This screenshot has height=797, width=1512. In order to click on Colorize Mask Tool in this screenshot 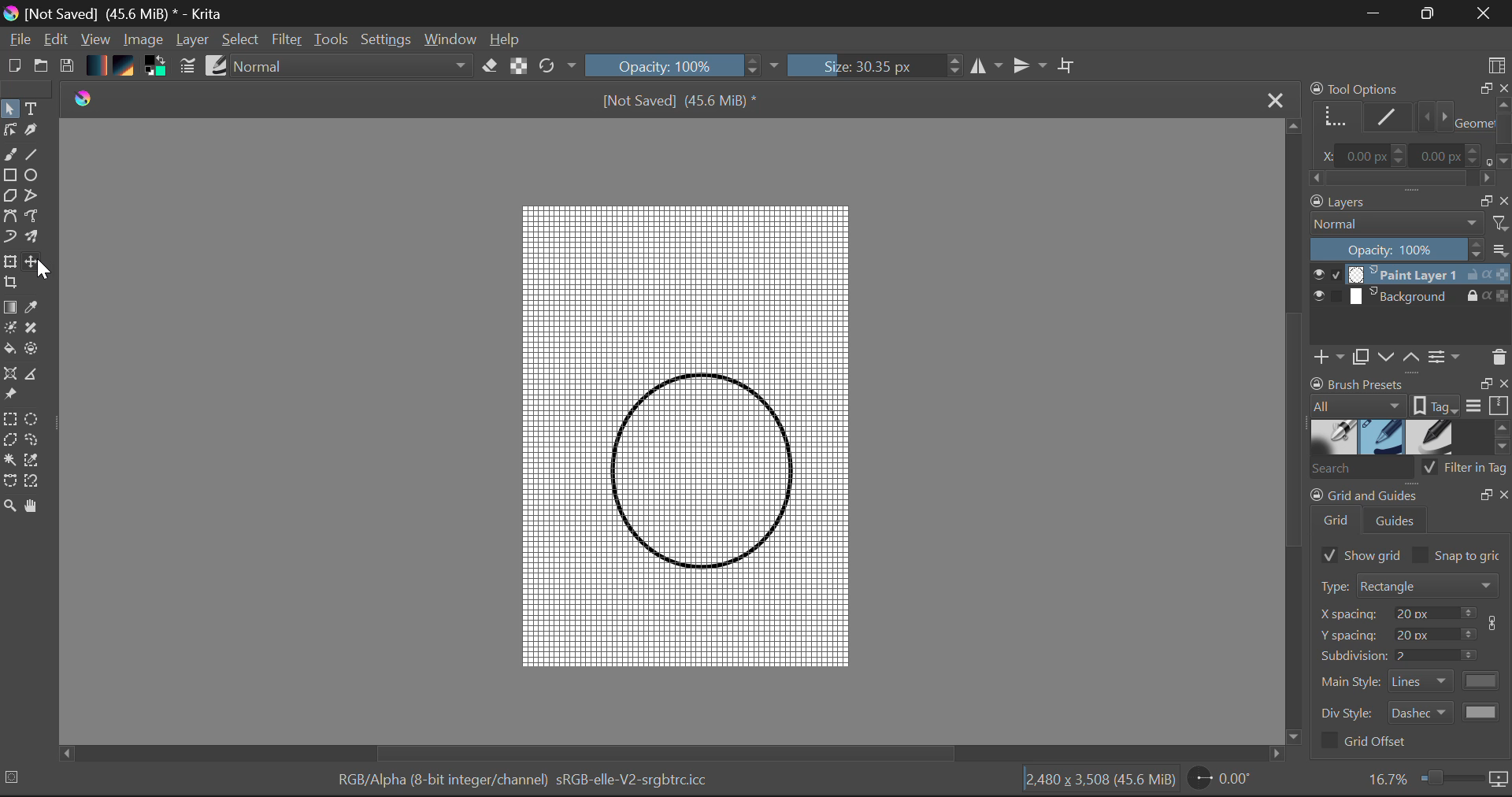, I will do `click(10, 328)`.